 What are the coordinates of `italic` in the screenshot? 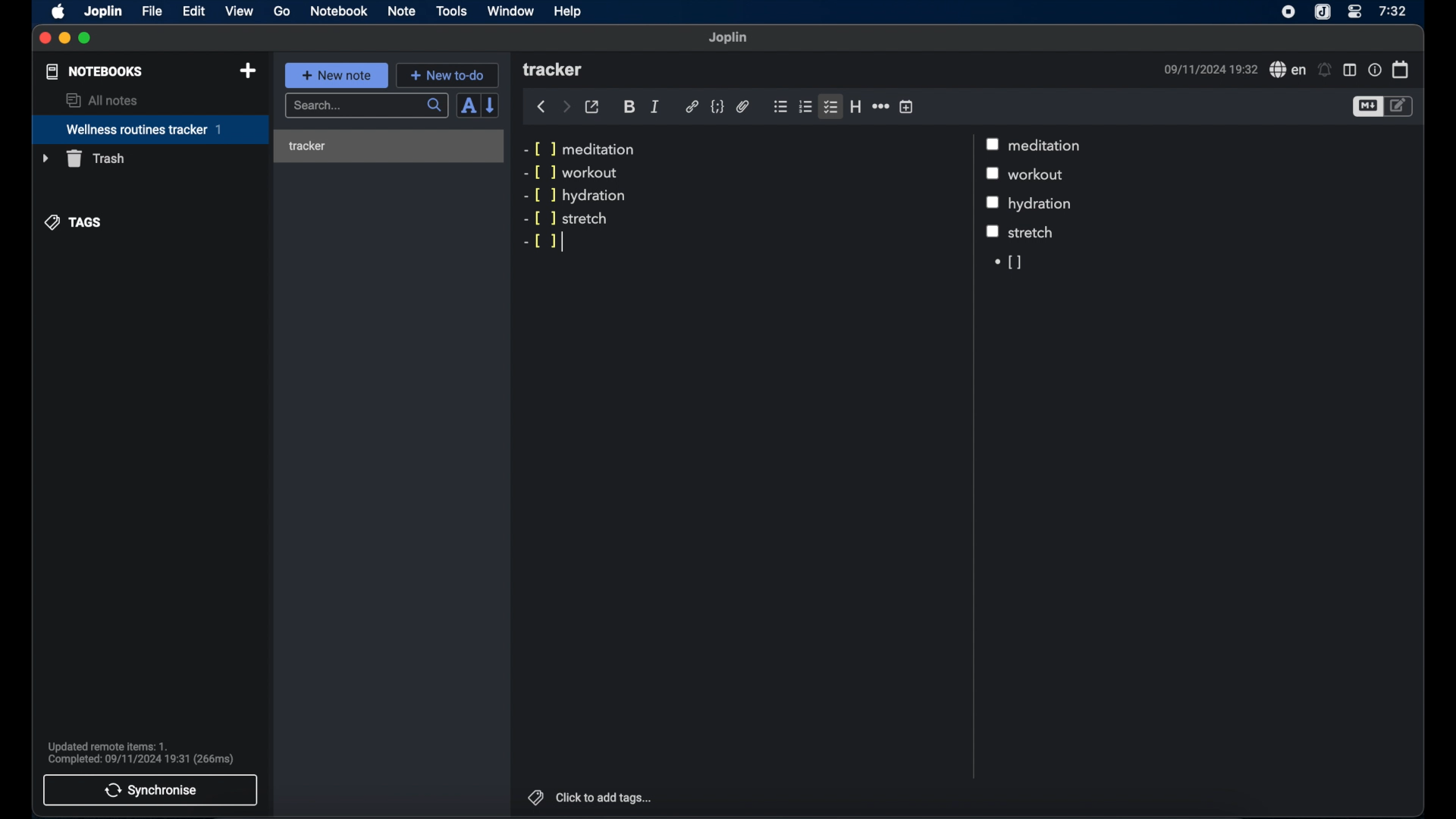 It's located at (655, 107).